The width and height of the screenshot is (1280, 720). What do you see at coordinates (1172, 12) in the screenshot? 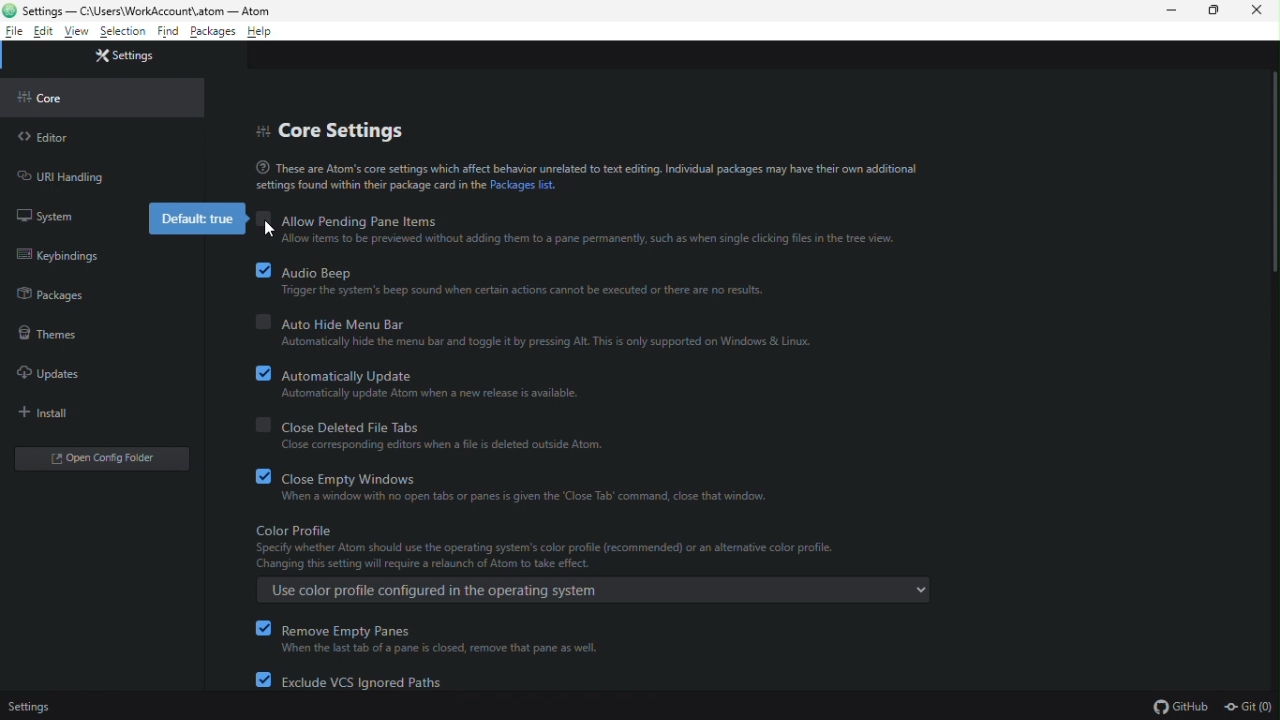
I see `minimize` at bounding box center [1172, 12].